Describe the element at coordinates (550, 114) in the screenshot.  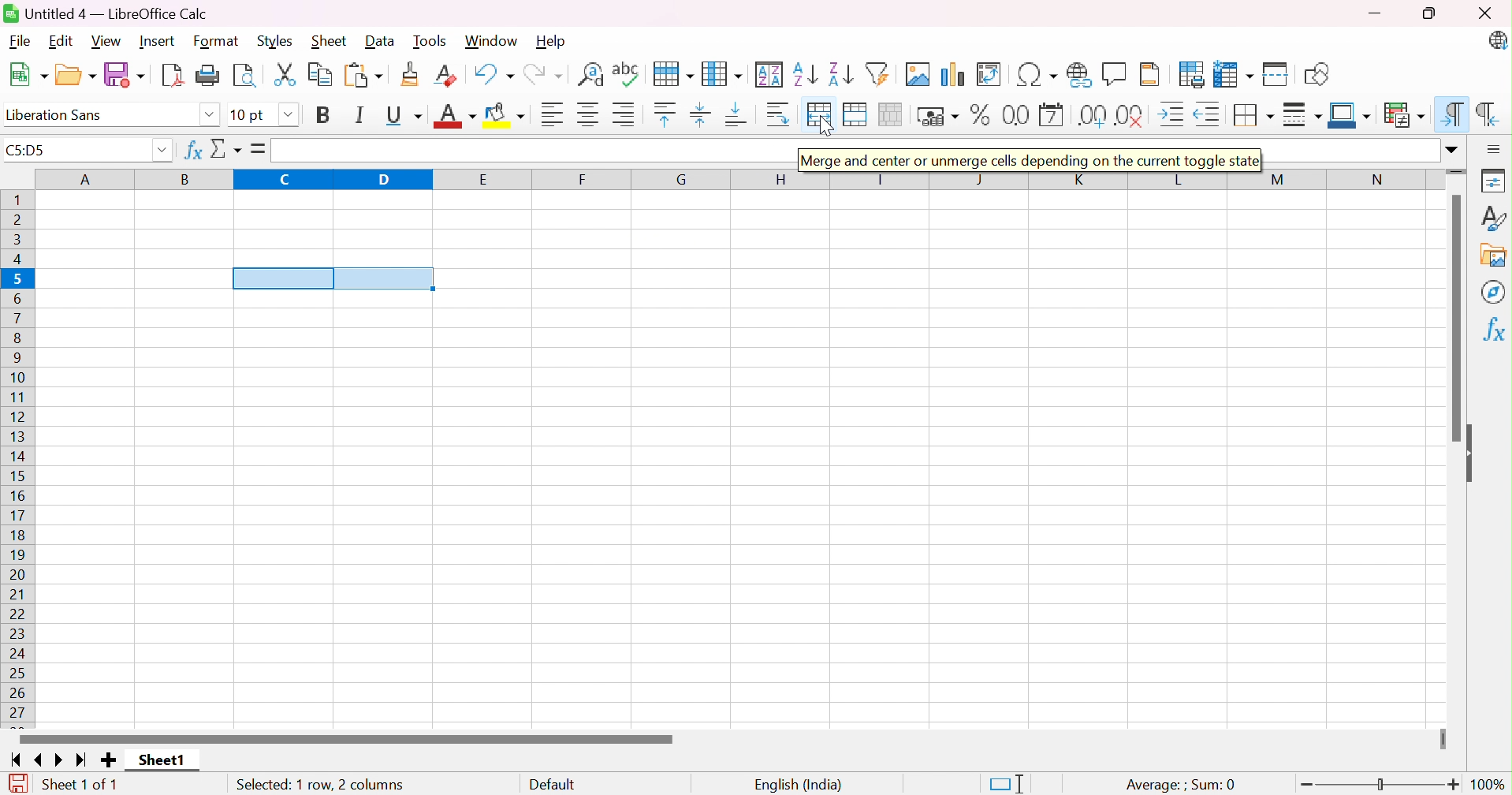
I see `Align Left` at that location.